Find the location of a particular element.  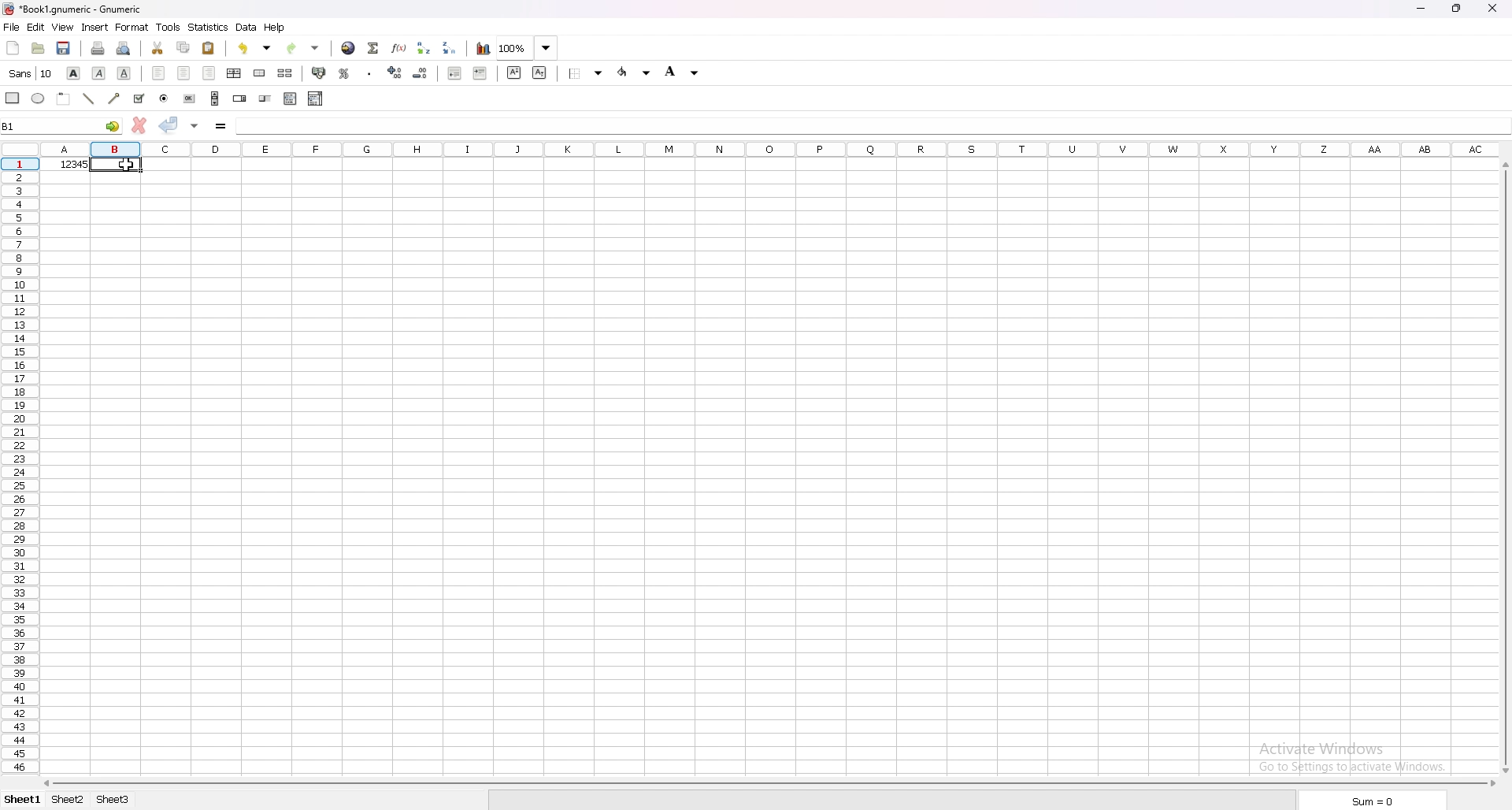

print preview is located at coordinates (124, 48).